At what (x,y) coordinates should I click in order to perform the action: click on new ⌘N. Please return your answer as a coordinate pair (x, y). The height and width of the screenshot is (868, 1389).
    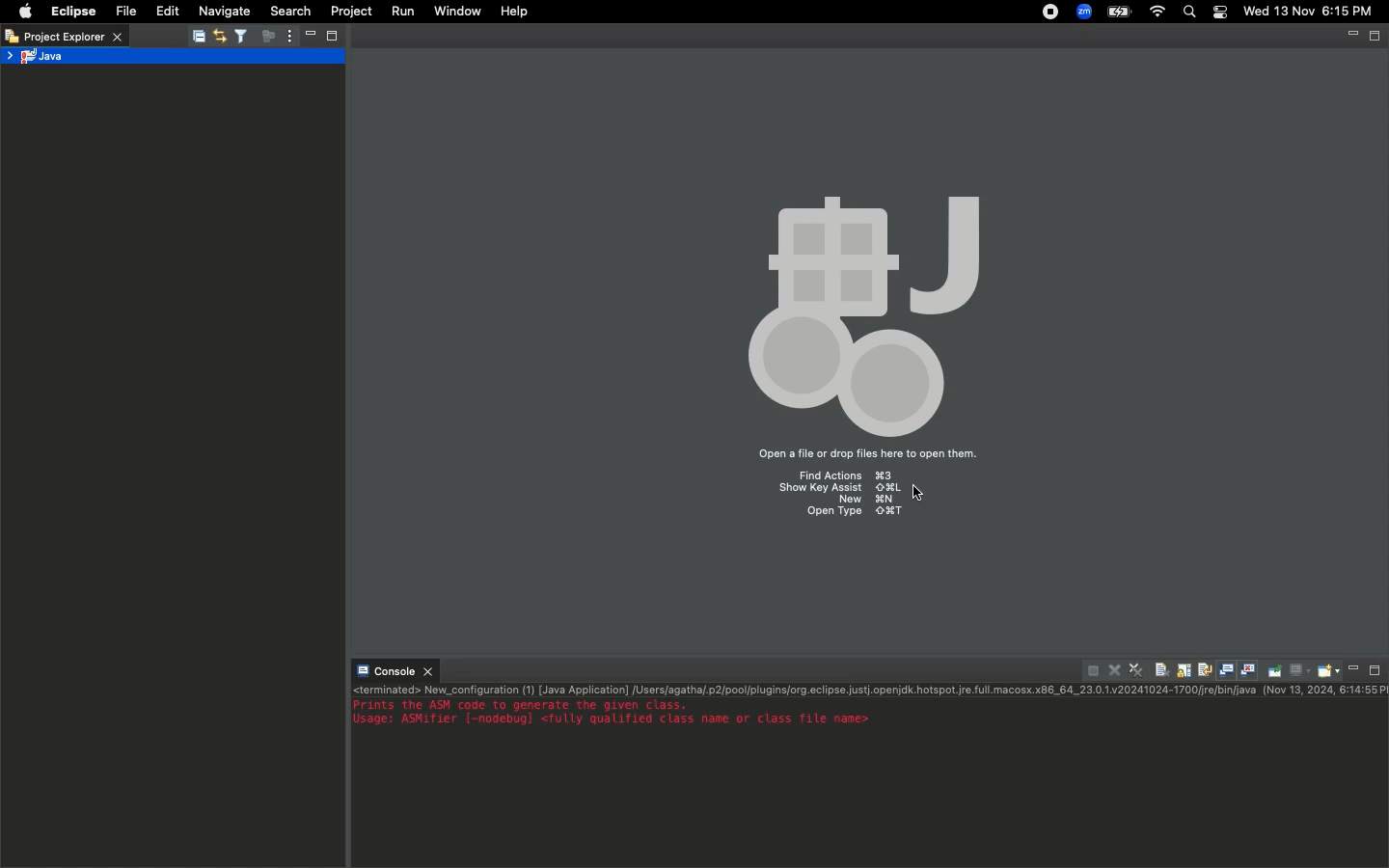
    Looking at the image, I should click on (869, 501).